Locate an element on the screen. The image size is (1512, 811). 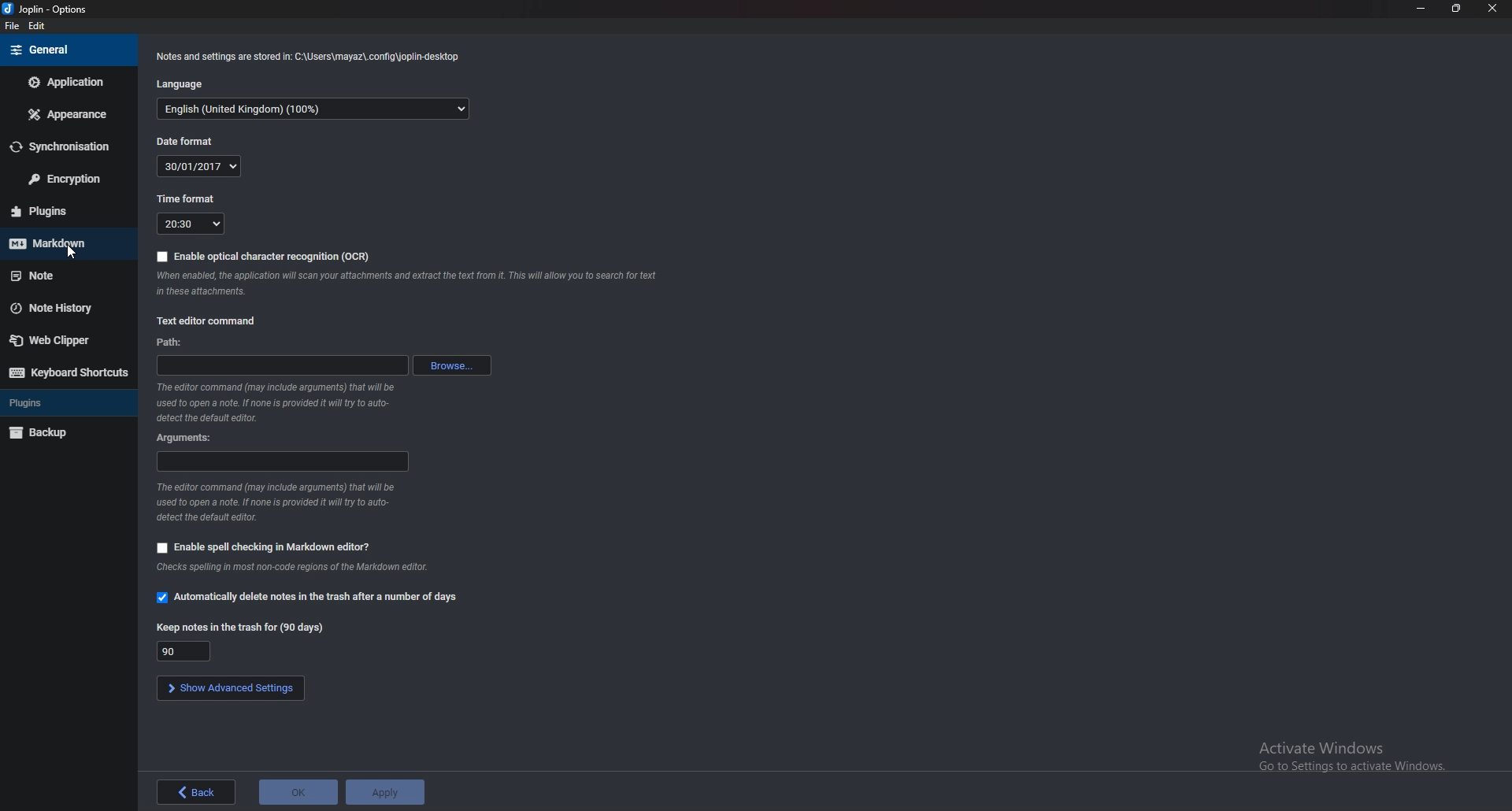
Info is located at coordinates (321, 567).